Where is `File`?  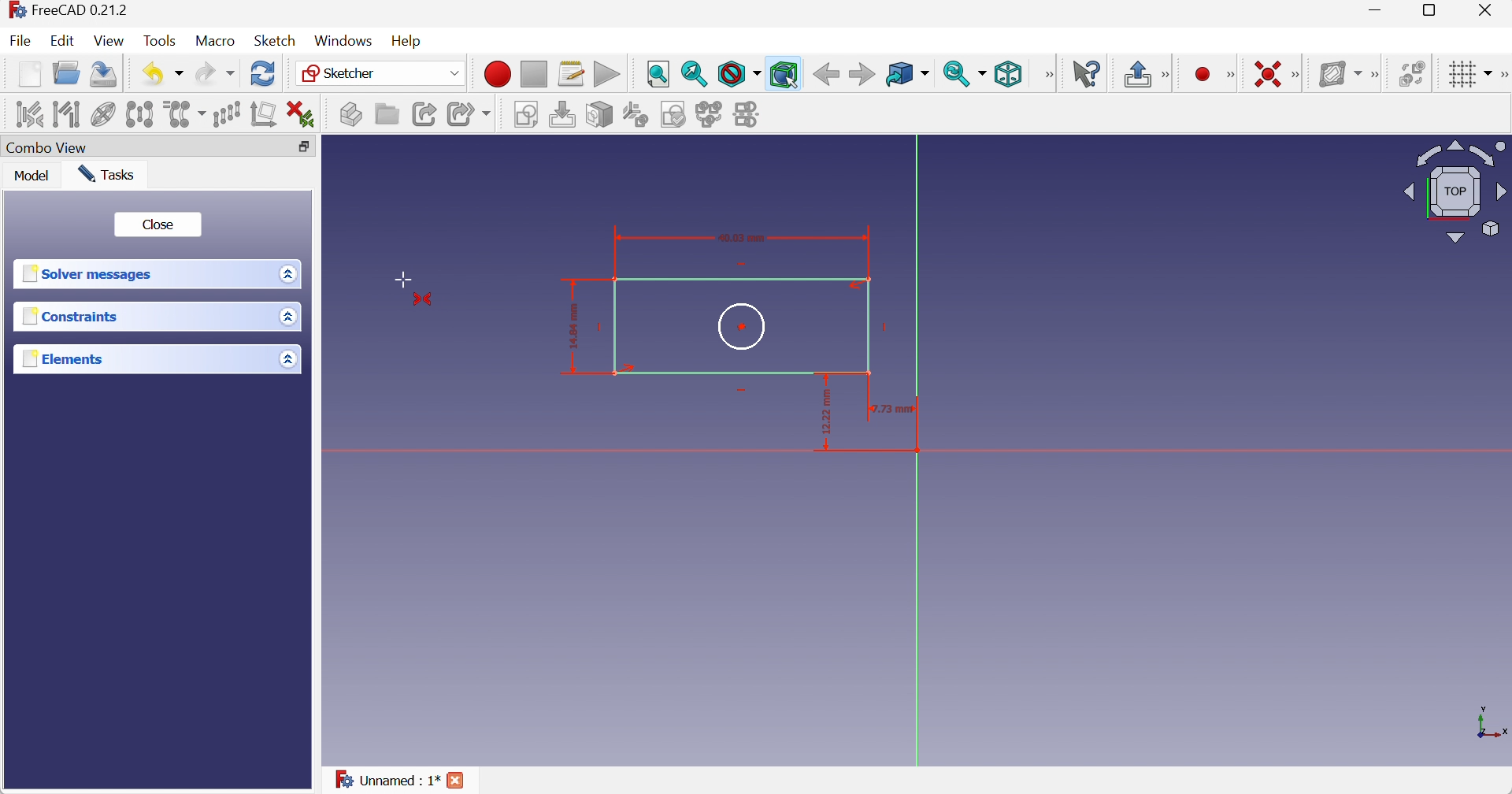 File is located at coordinates (20, 40).